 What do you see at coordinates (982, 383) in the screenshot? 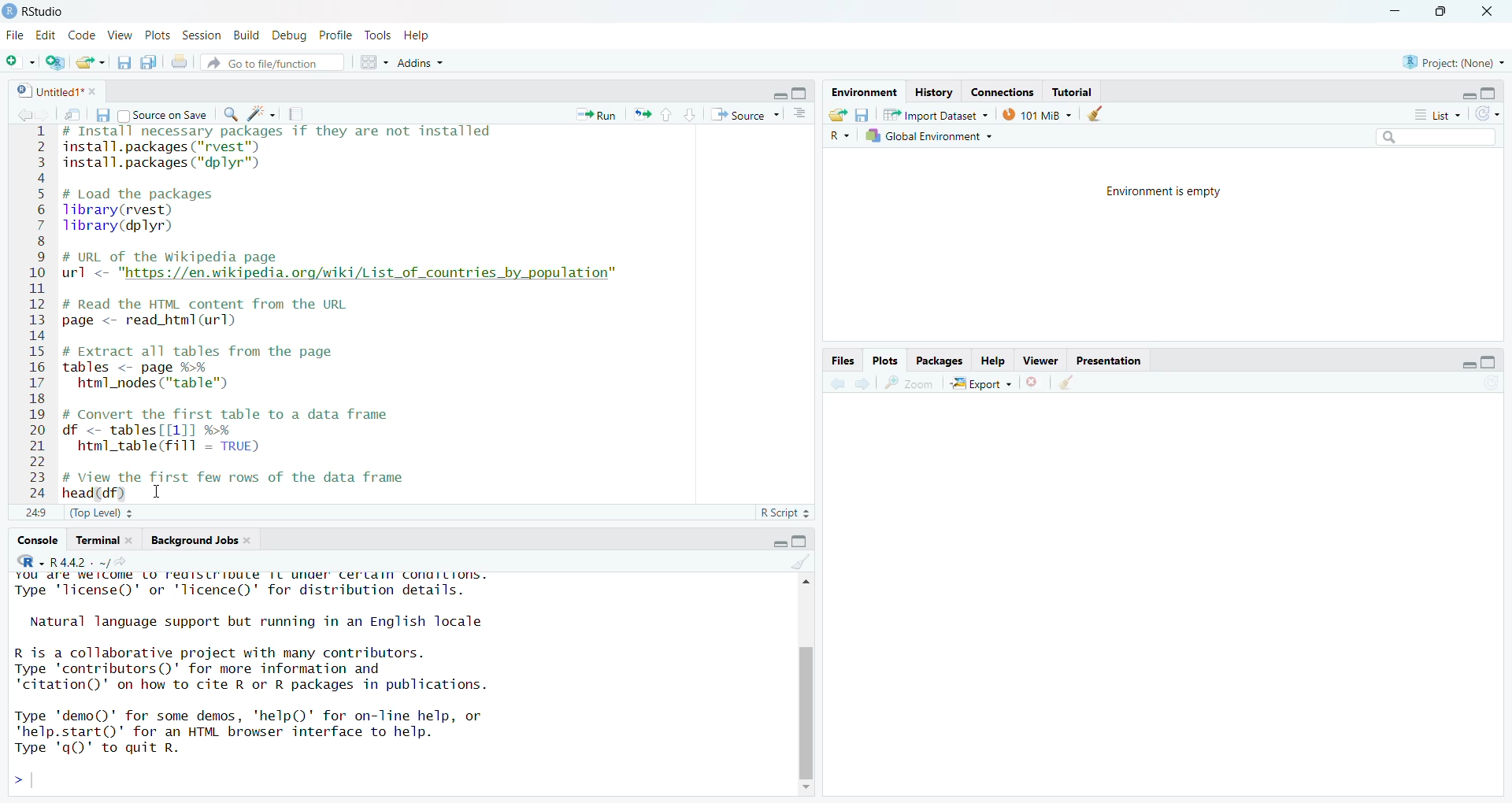
I see `Export` at bounding box center [982, 383].